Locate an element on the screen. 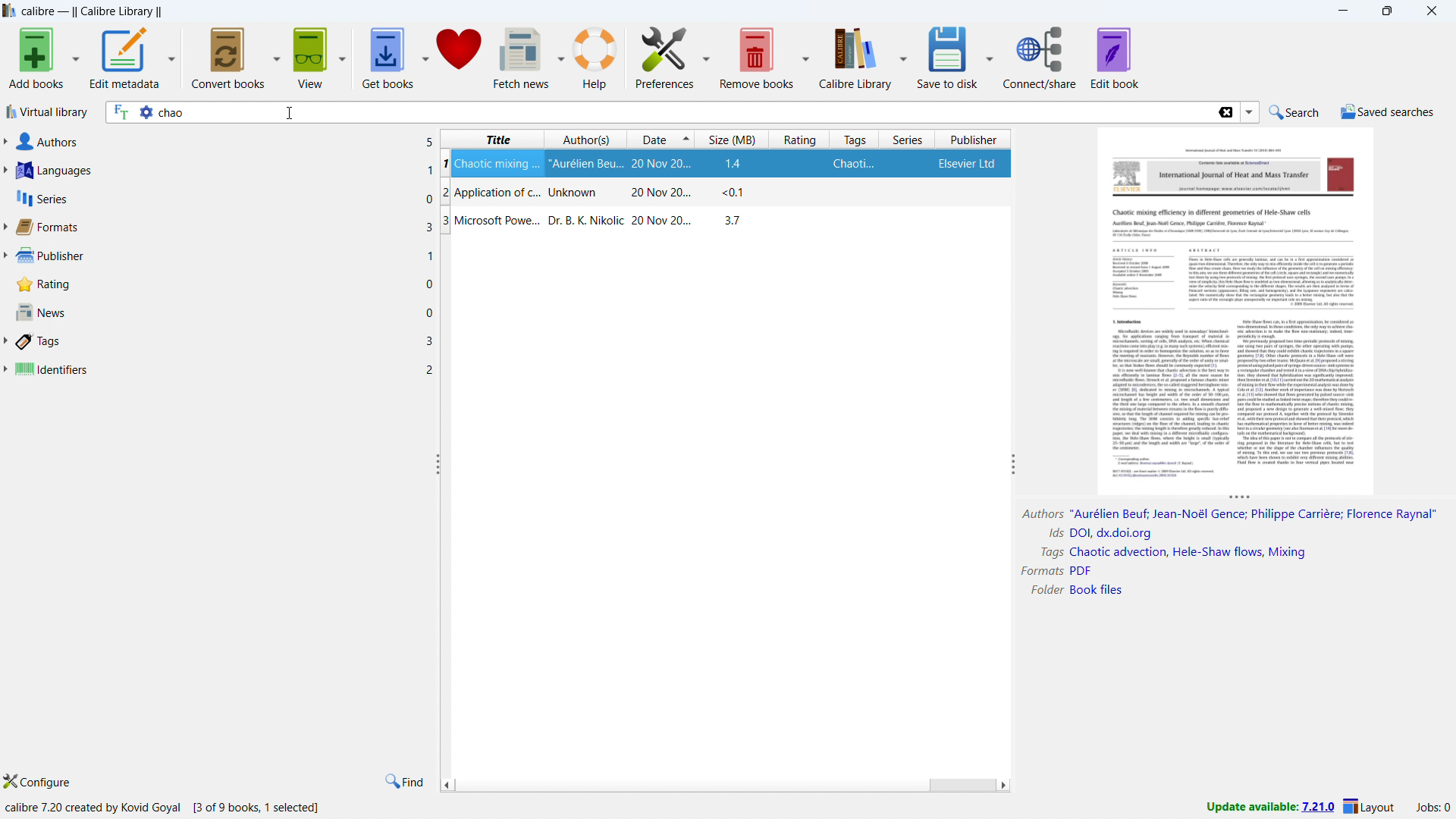  [3 of 9 books, 1 selected] is located at coordinates (257, 806).